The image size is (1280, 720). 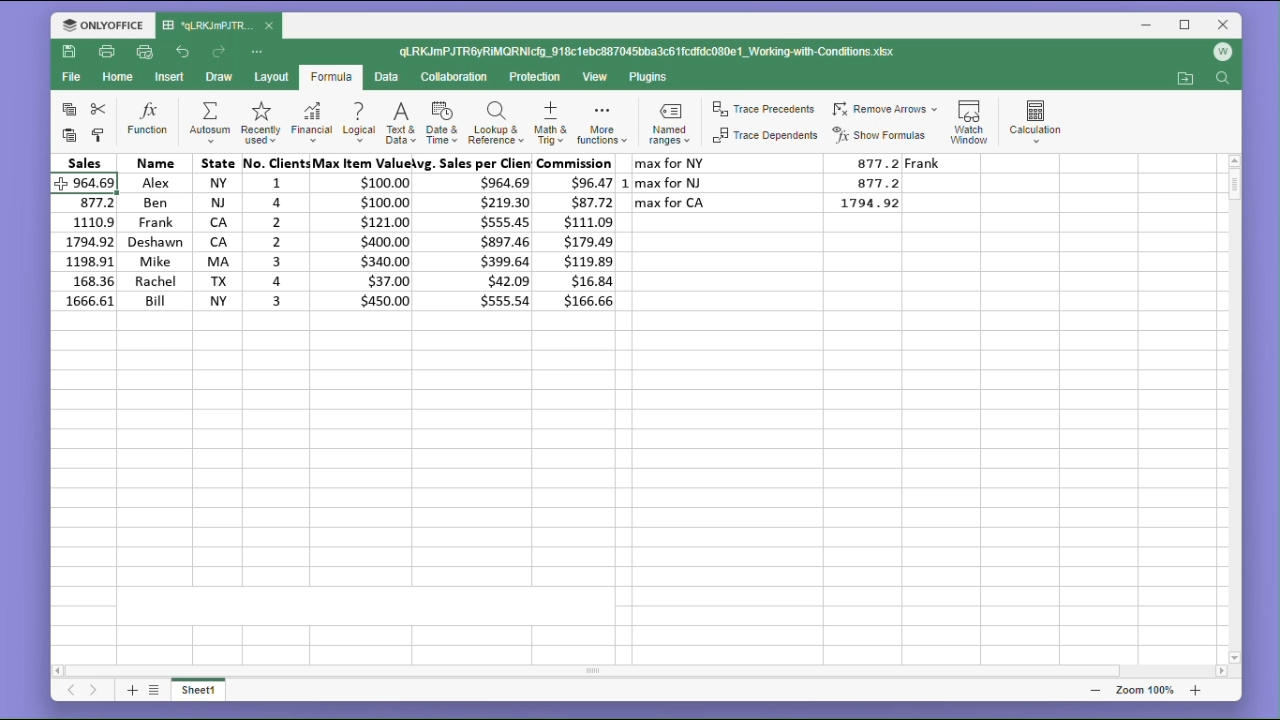 I want to click on data, so click(x=390, y=77).